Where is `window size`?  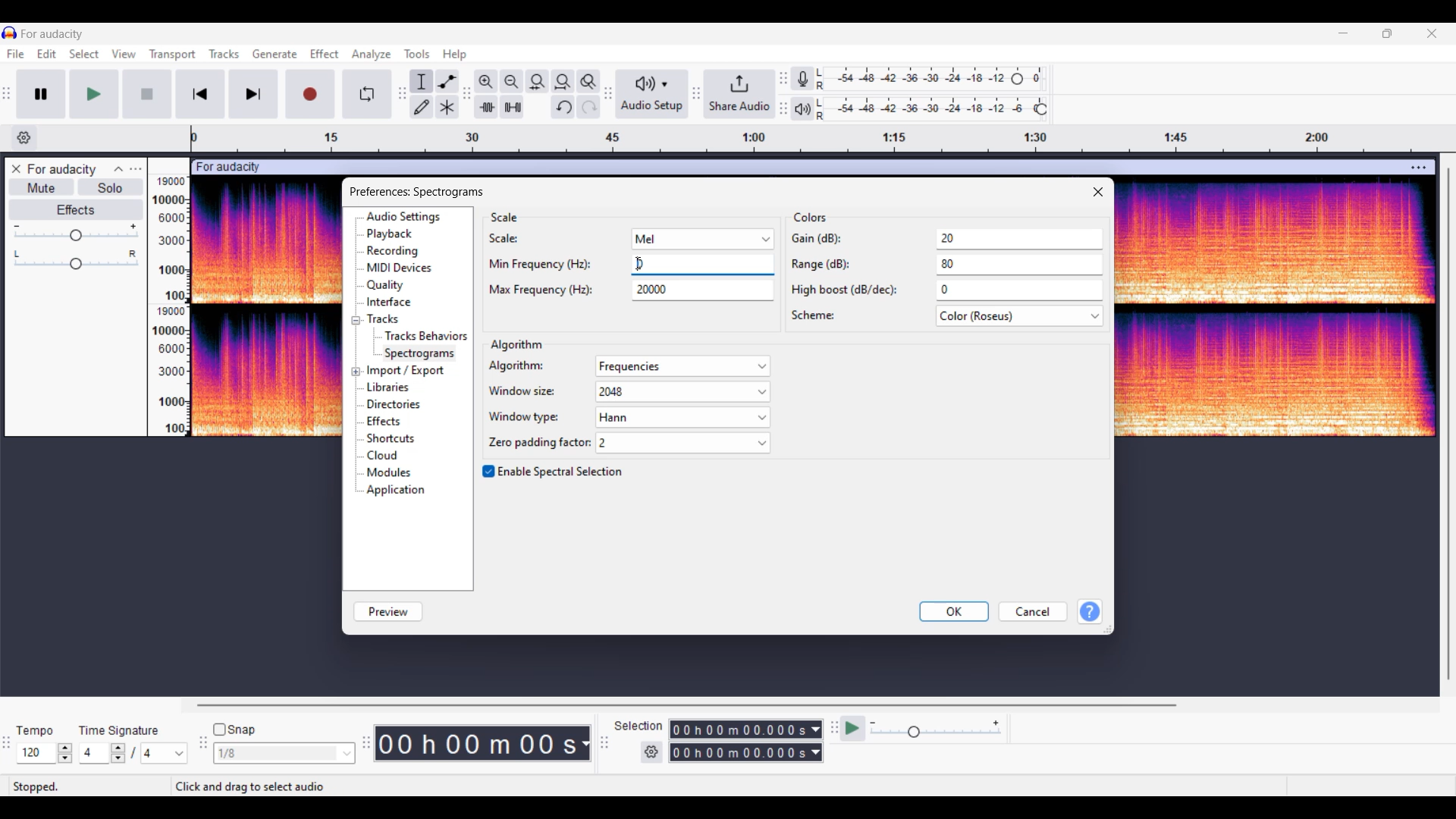 window size is located at coordinates (626, 394).